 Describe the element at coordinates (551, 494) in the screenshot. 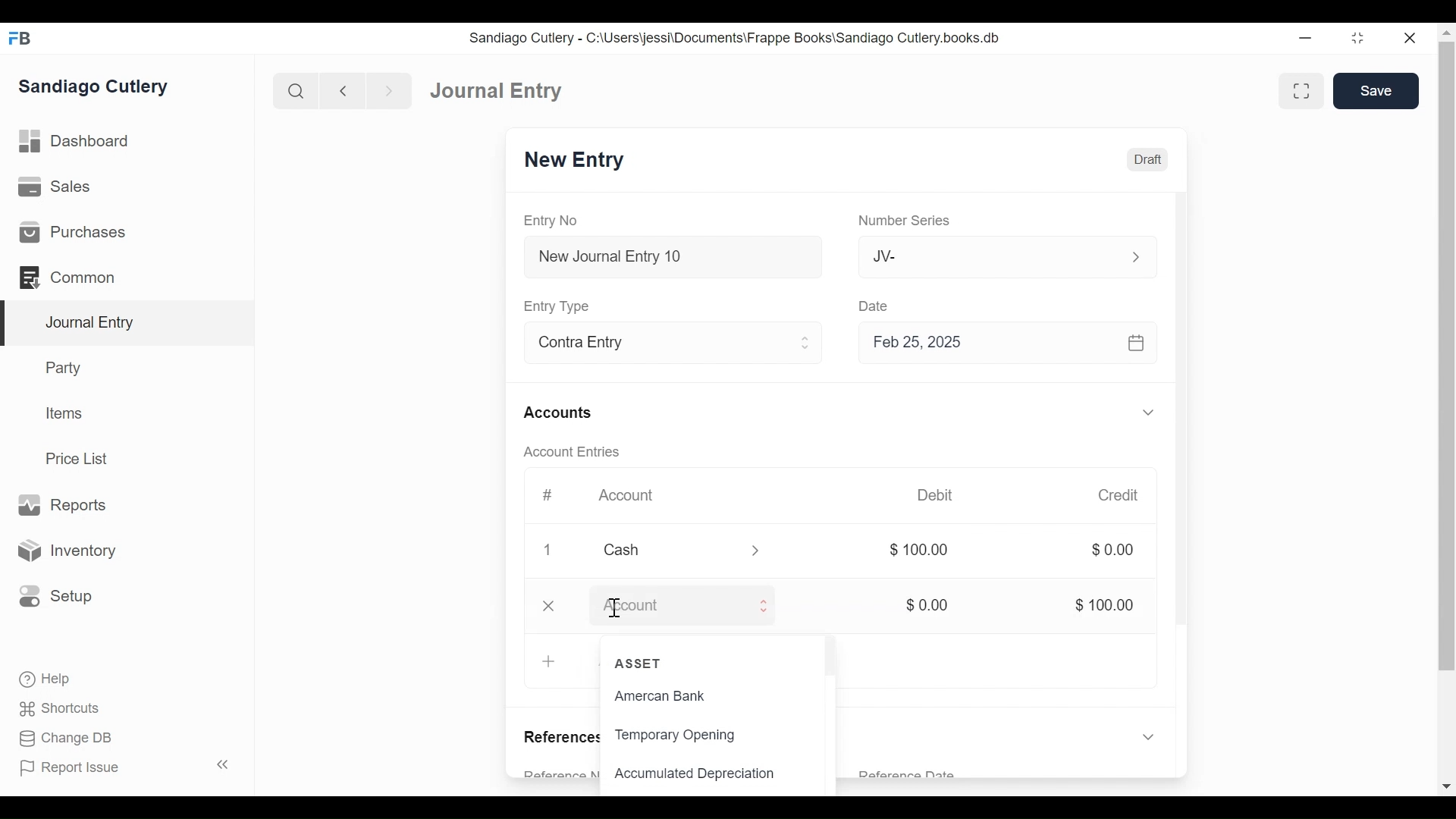

I see `#` at that location.